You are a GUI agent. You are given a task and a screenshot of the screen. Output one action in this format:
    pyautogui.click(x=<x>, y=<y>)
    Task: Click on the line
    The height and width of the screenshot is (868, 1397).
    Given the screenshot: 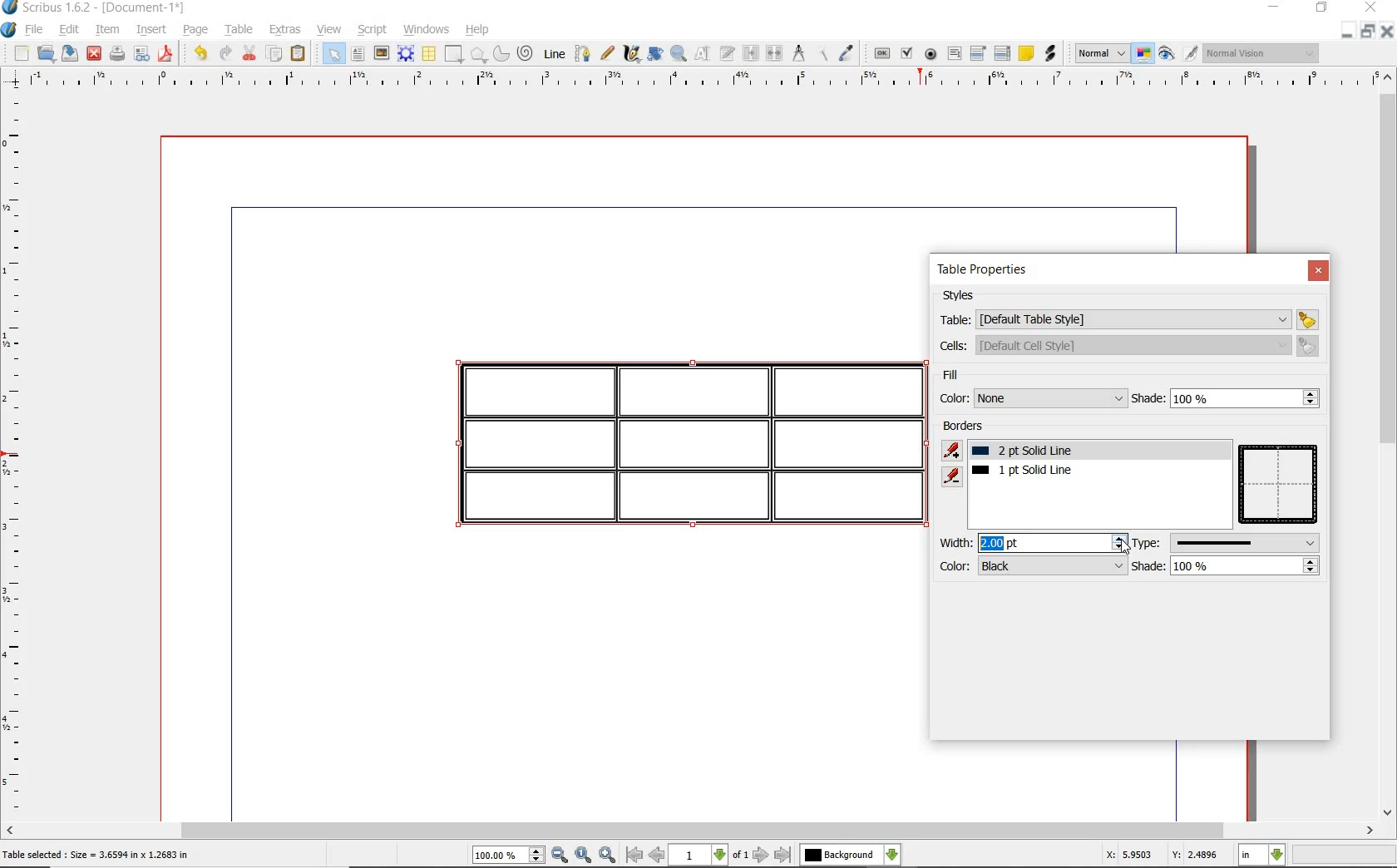 What is the action you would take?
    pyautogui.click(x=554, y=53)
    